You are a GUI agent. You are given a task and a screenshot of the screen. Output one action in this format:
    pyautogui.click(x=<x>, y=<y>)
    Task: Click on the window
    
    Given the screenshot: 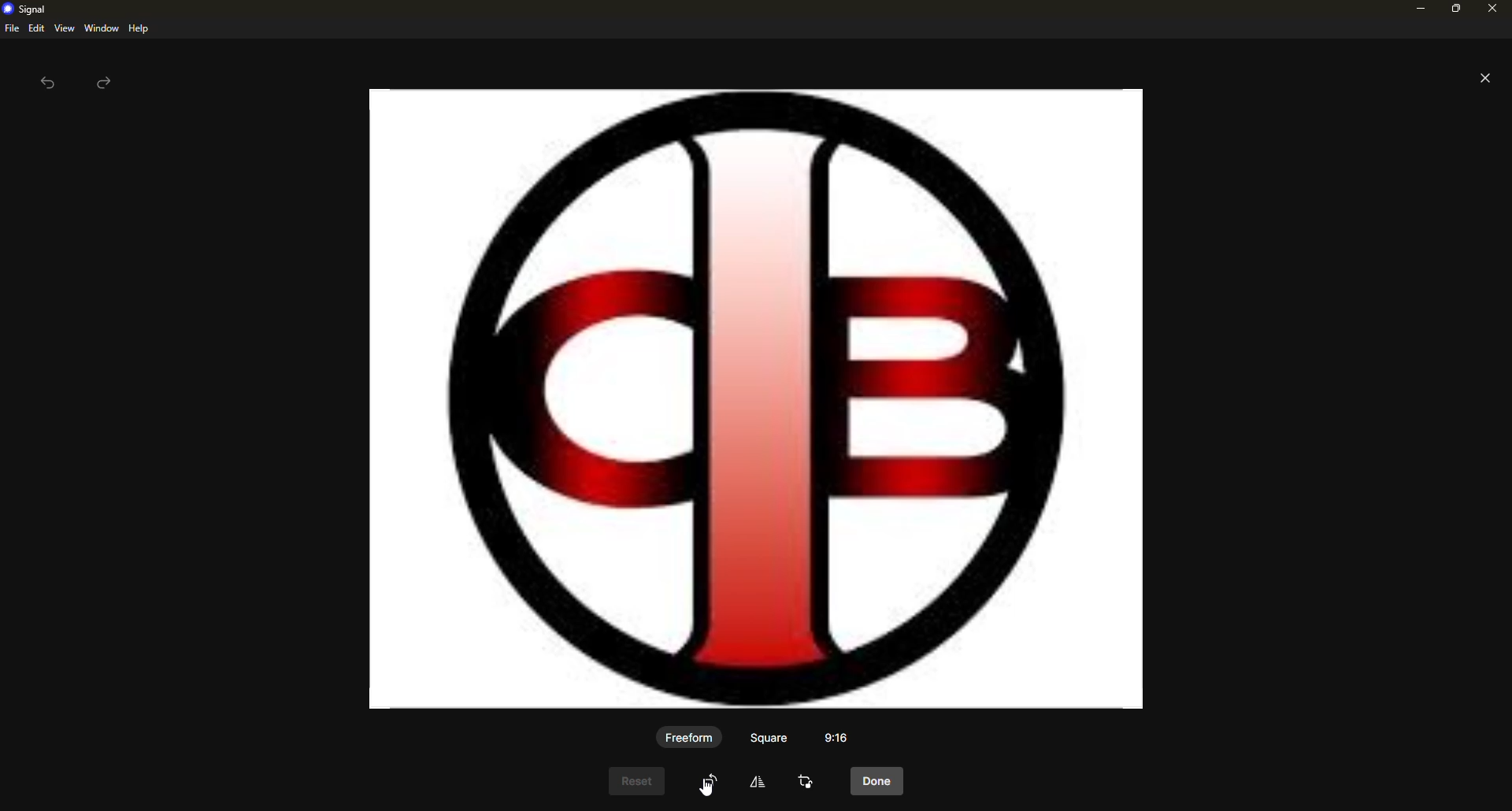 What is the action you would take?
    pyautogui.click(x=102, y=29)
    